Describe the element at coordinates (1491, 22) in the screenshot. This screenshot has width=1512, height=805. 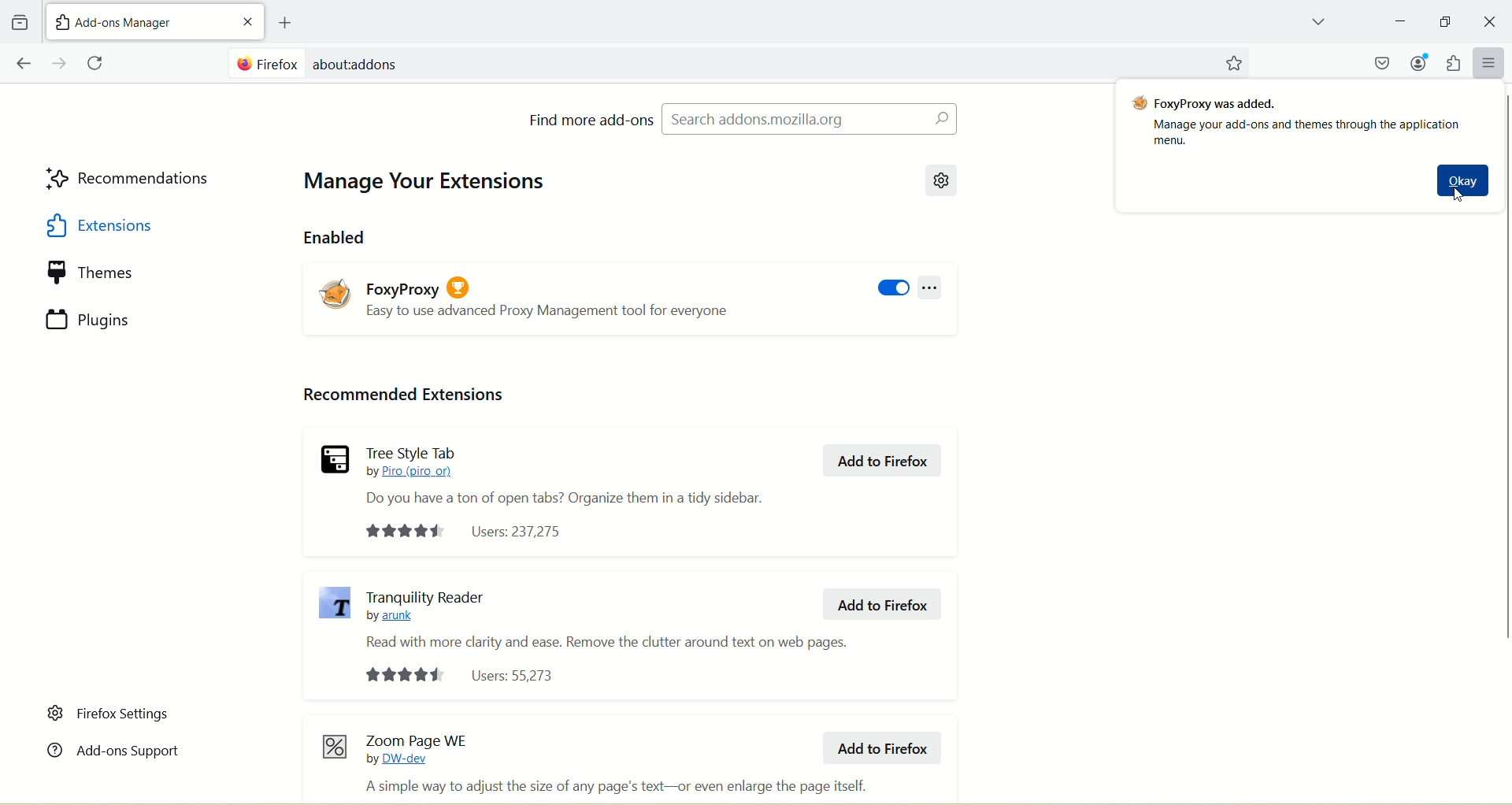
I see `Close` at that location.